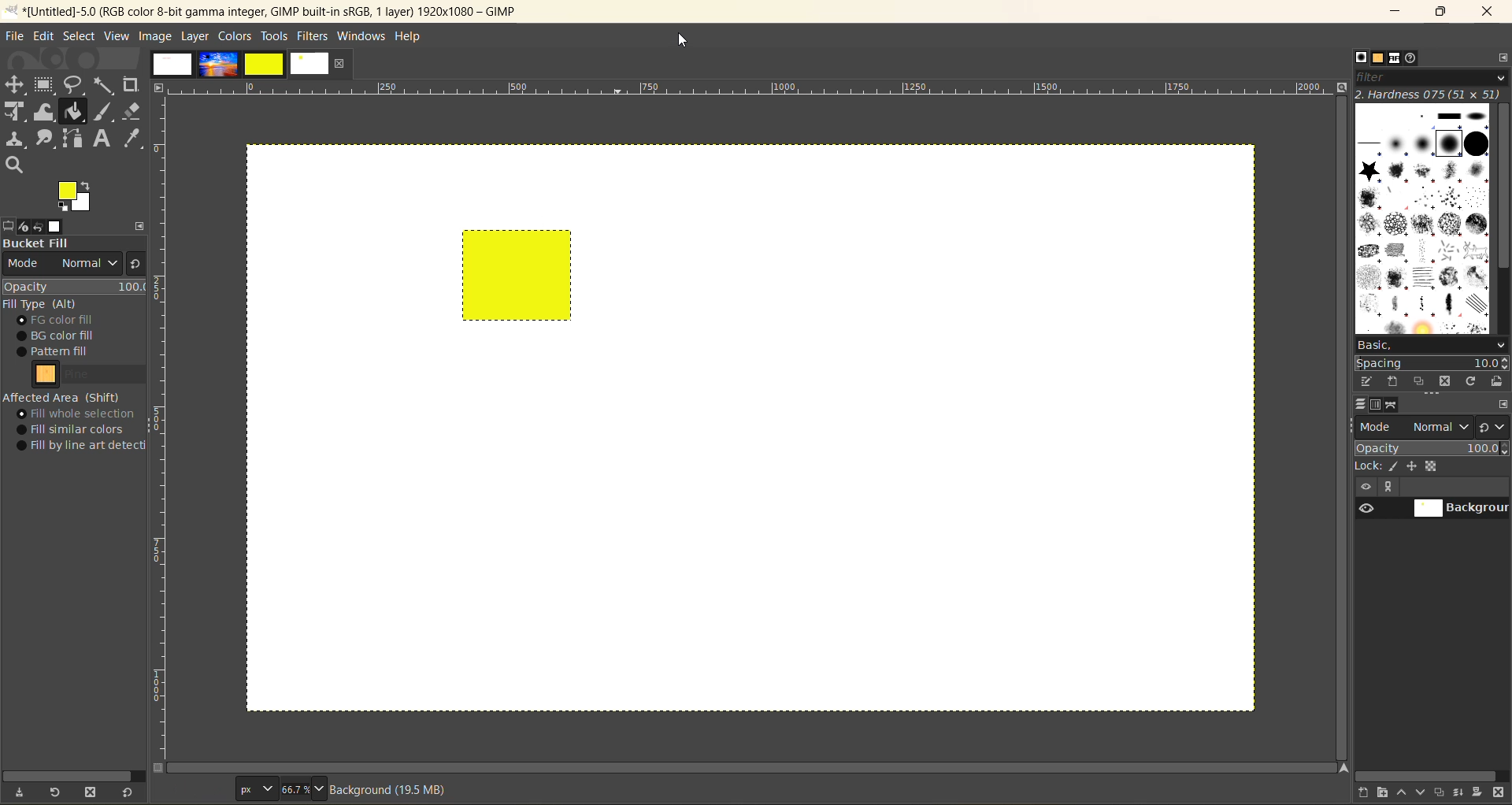 The width and height of the screenshot is (1512, 805). Describe the element at coordinates (196, 36) in the screenshot. I see `layer` at that location.